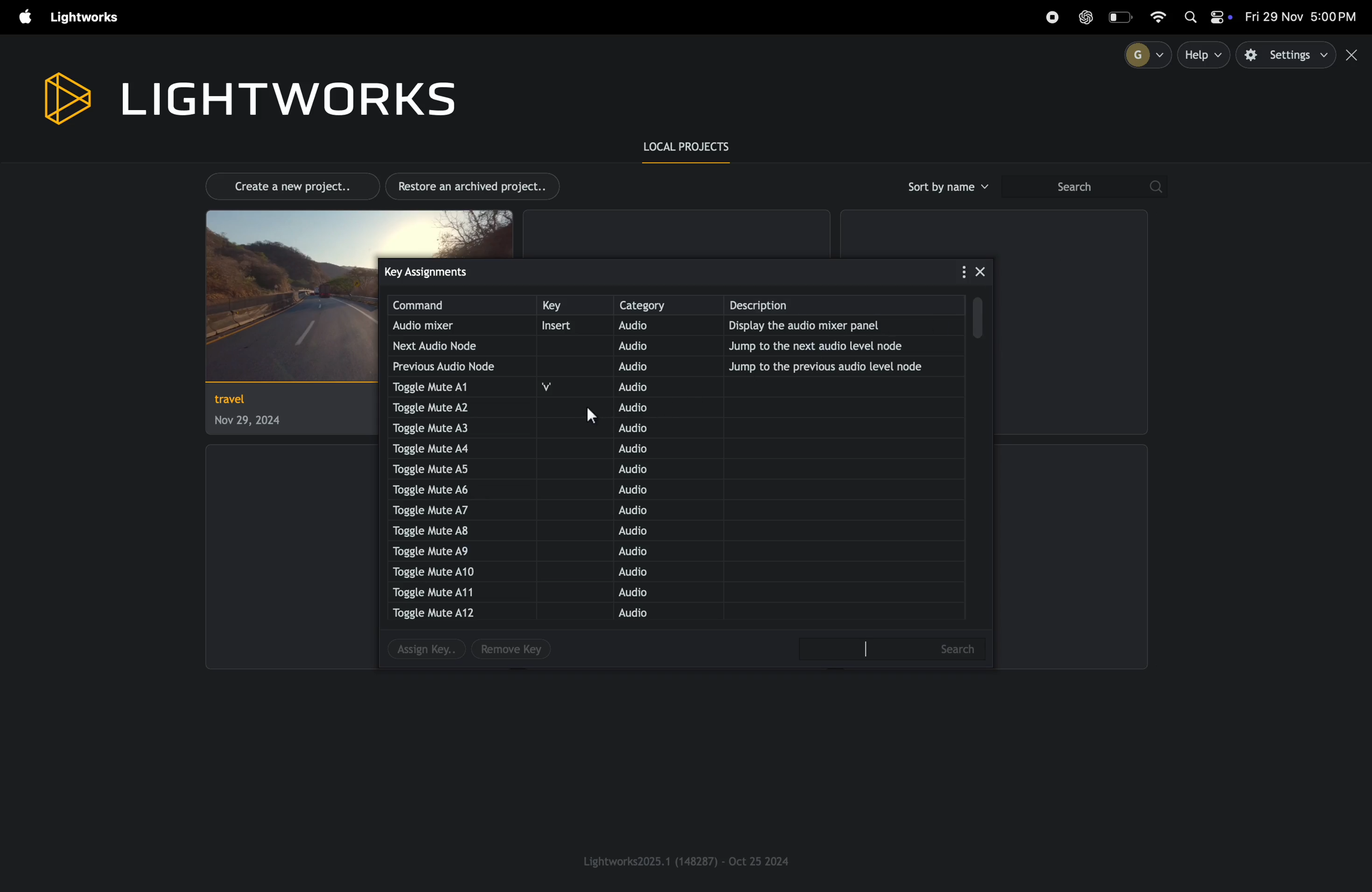 This screenshot has height=892, width=1372. What do you see at coordinates (849, 305) in the screenshot?
I see `description` at bounding box center [849, 305].